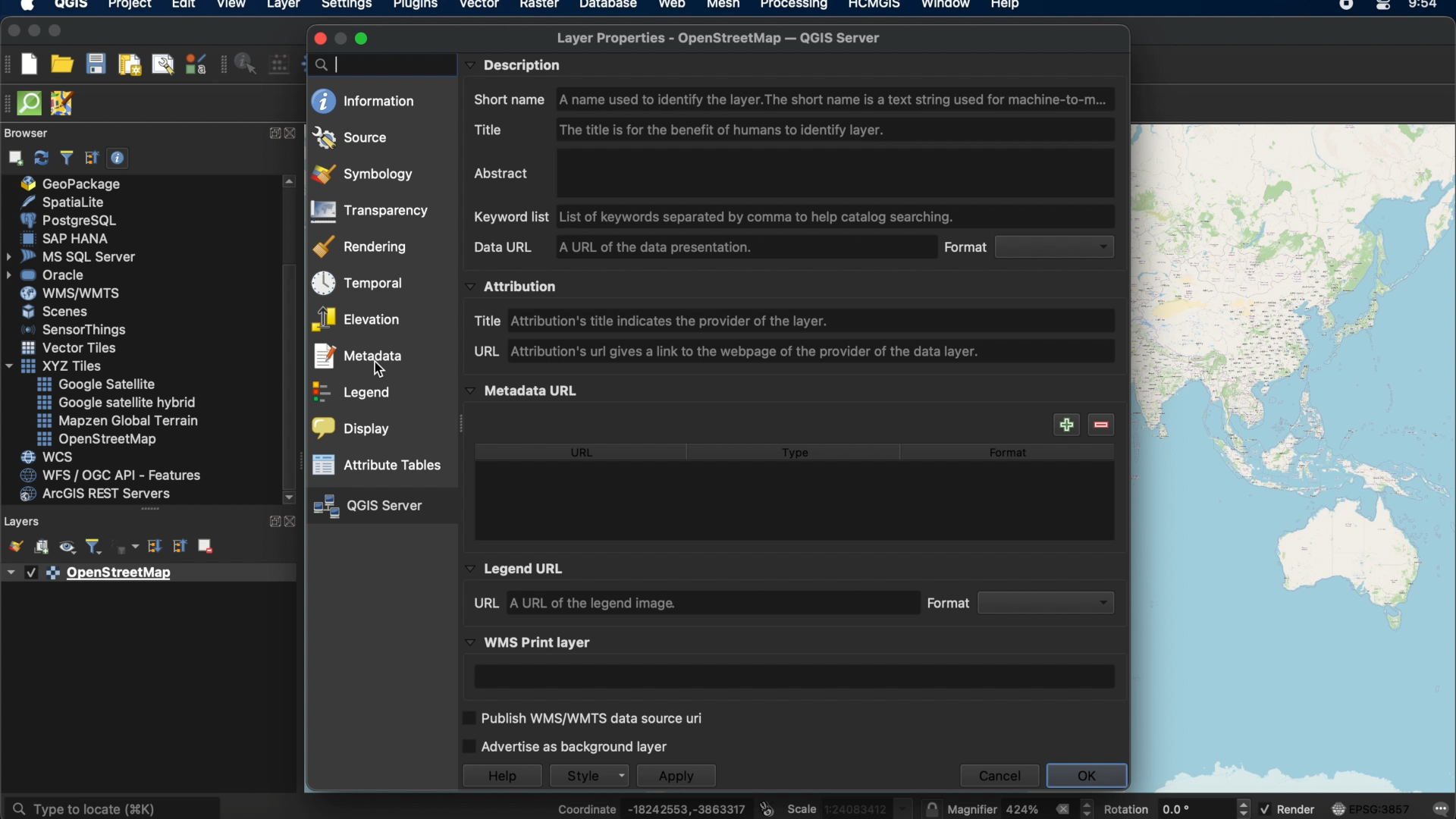 The image size is (1456, 819). Describe the element at coordinates (78, 330) in the screenshot. I see `sensor things` at that location.